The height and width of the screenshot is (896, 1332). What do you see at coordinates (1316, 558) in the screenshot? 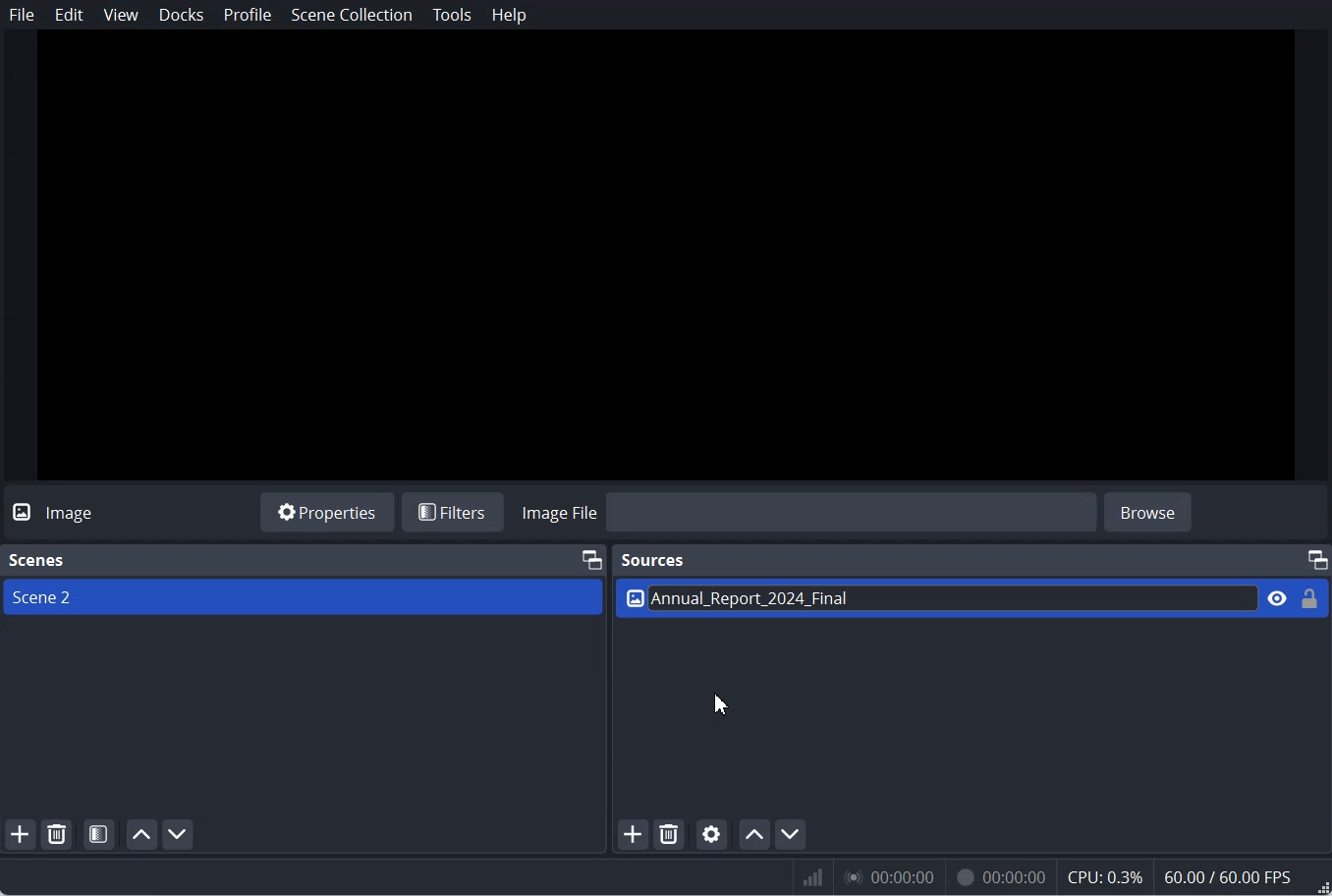
I see `Maximum` at bounding box center [1316, 558].